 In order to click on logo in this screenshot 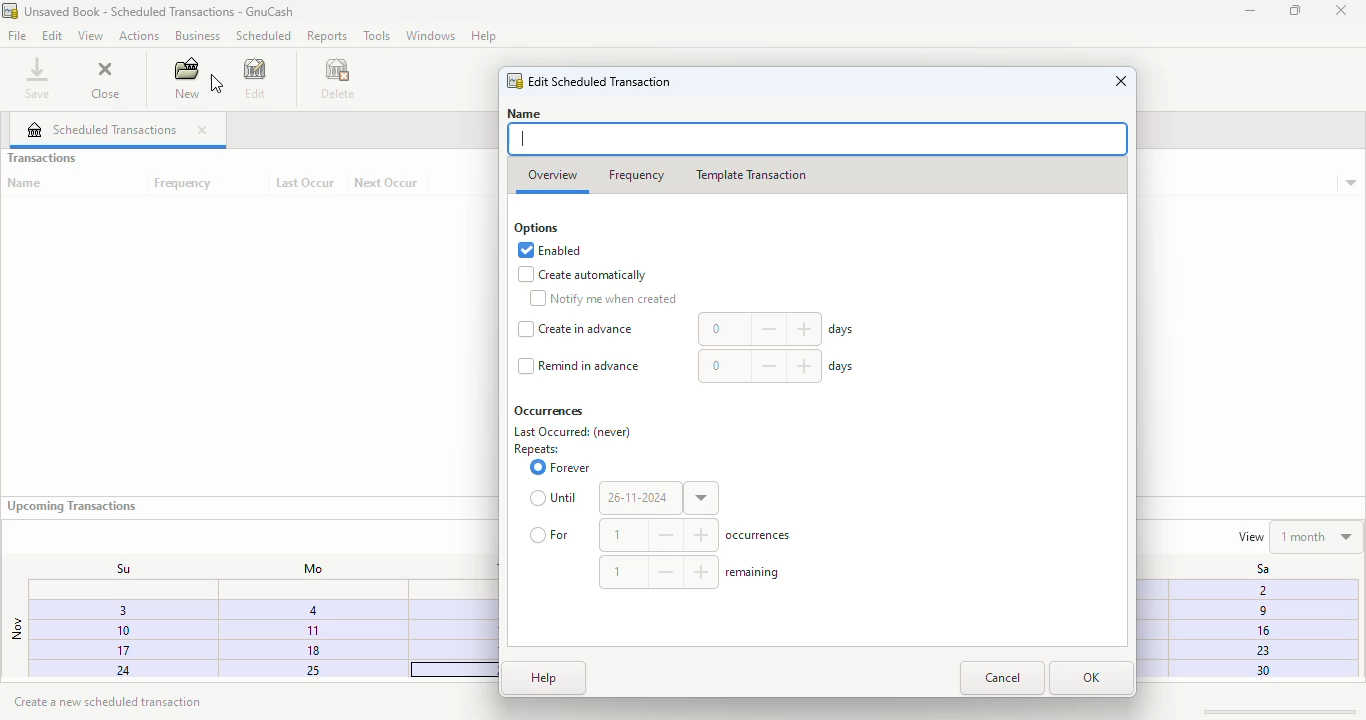, I will do `click(10, 10)`.